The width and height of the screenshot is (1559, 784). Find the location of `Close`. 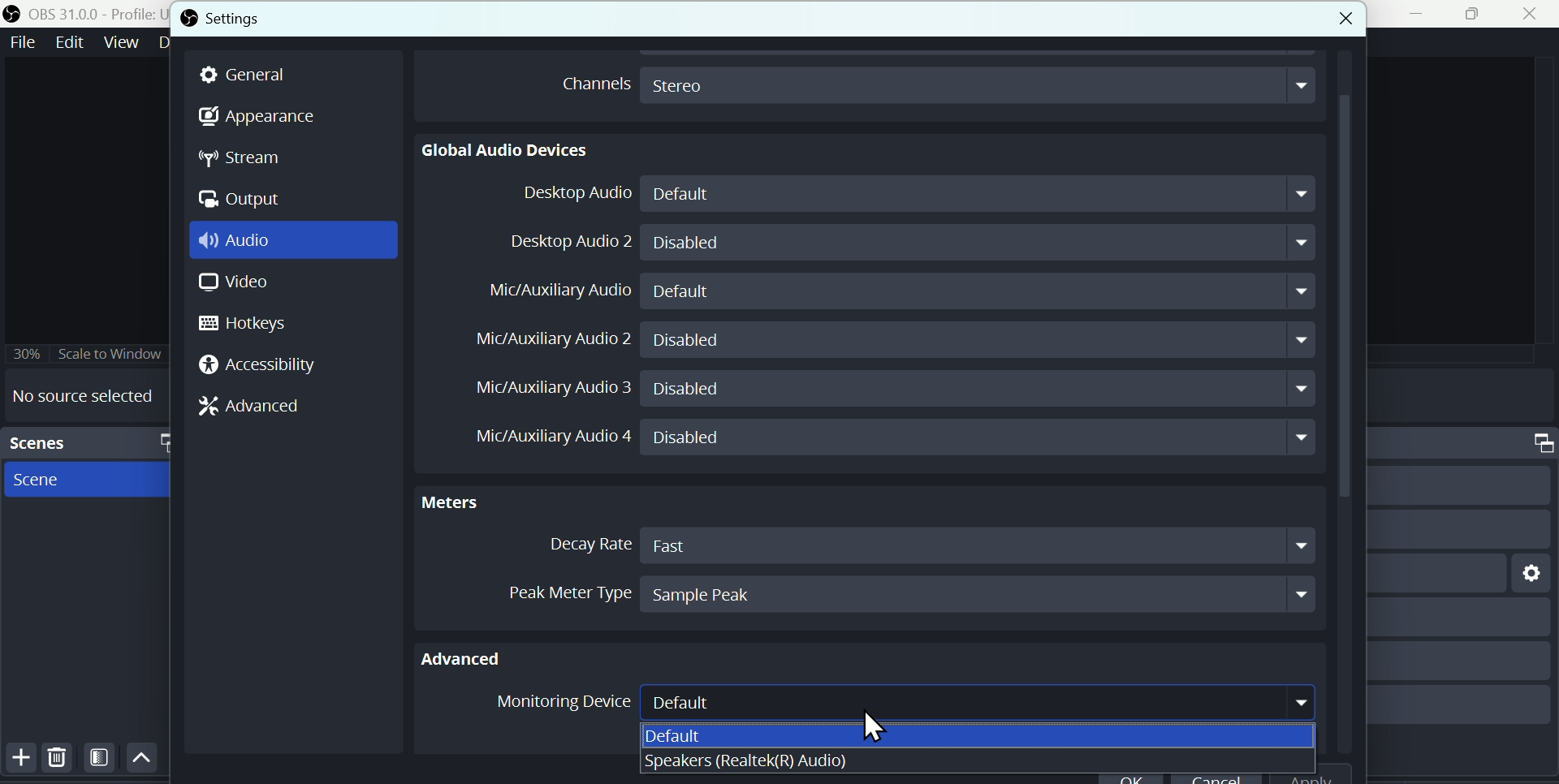

Close is located at coordinates (1530, 15).